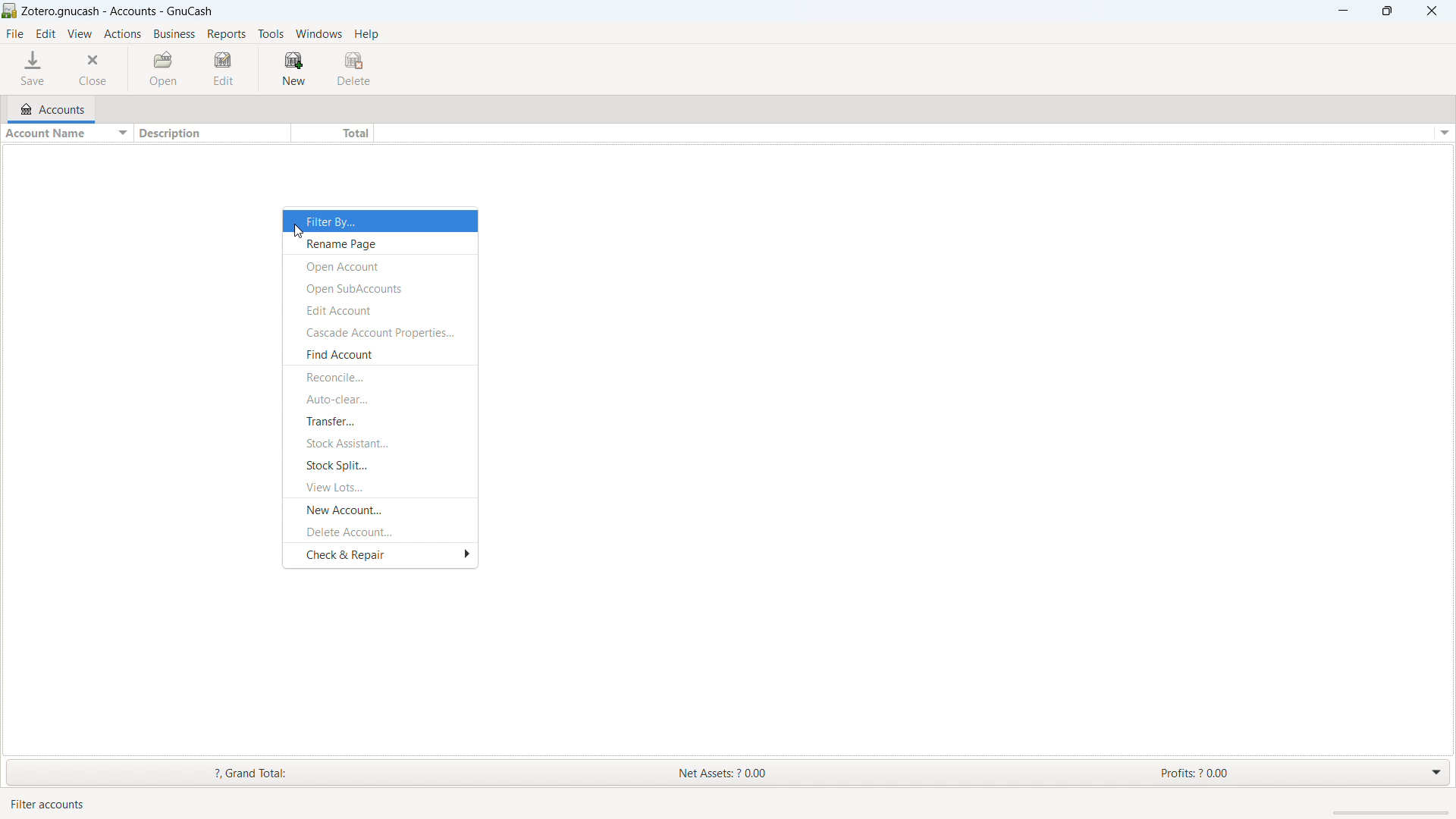 Image resolution: width=1456 pixels, height=819 pixels. Describe the element at coordinates (57, 107) in the screenshot. I see `accounts tab` at that location.